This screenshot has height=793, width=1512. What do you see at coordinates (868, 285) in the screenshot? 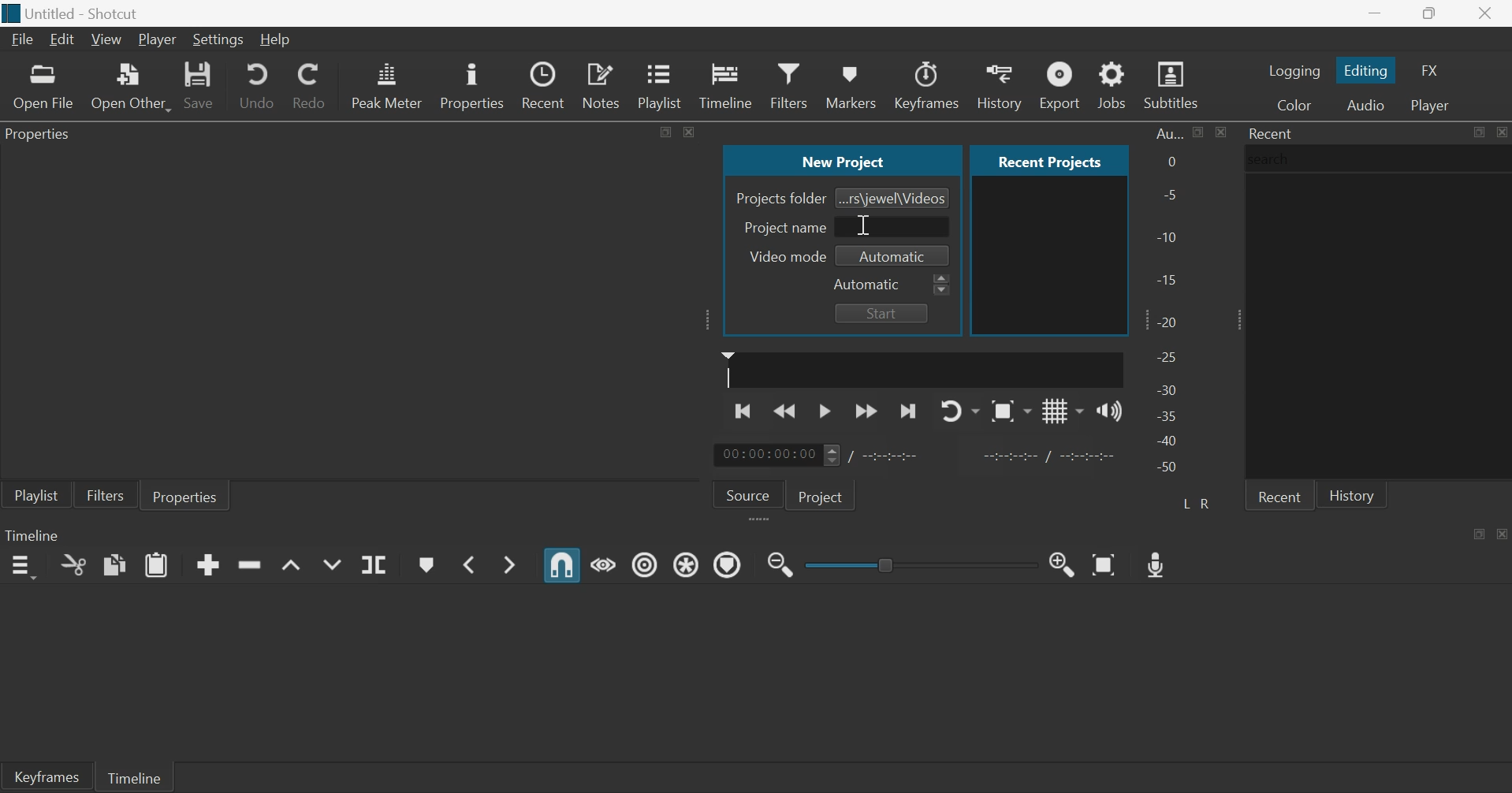
I see `Automatic` at bounding box center [868, 285].